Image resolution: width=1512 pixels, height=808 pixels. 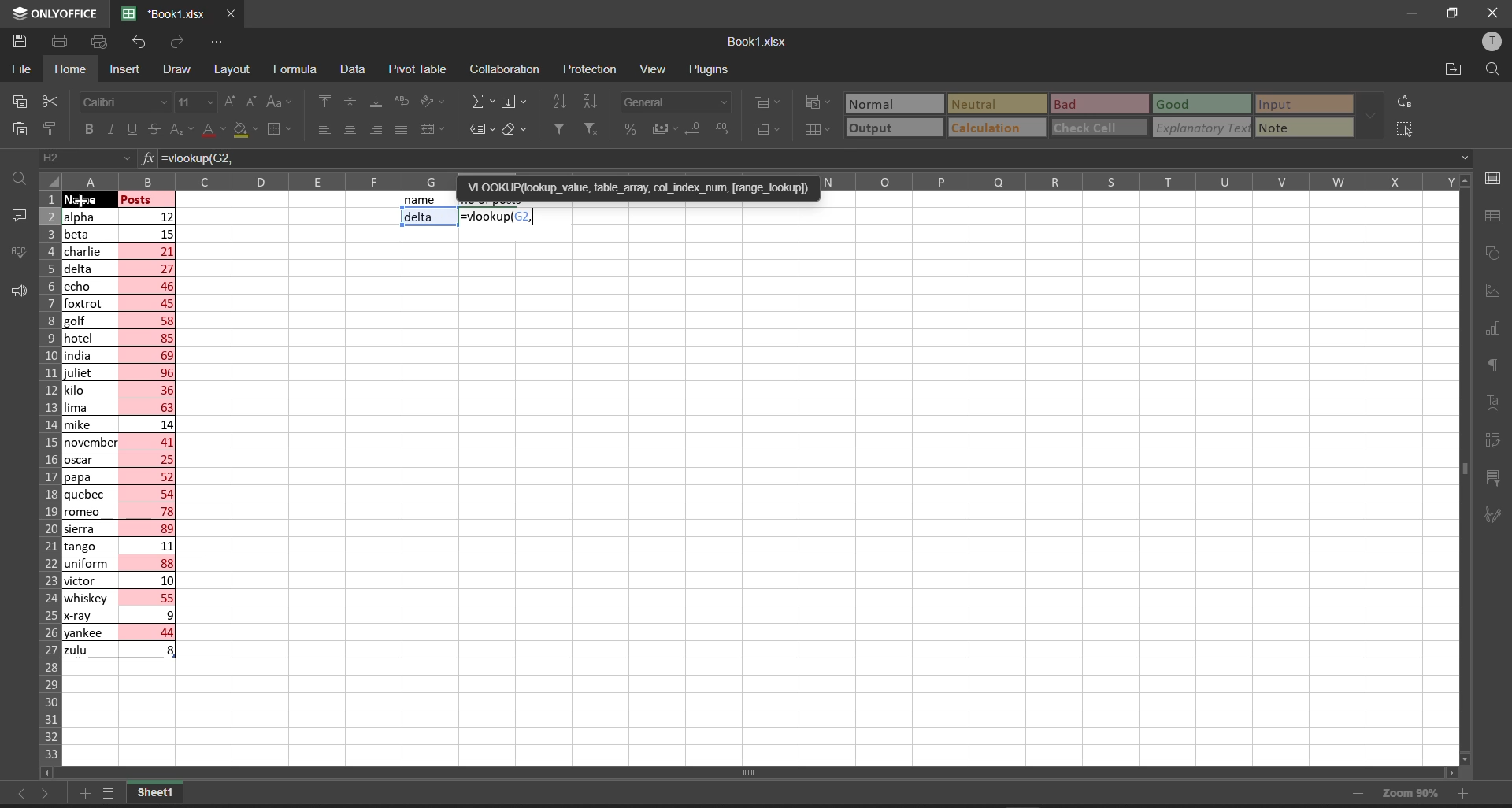 I want to click on paragraph settings, so click(x=1496, y=366).